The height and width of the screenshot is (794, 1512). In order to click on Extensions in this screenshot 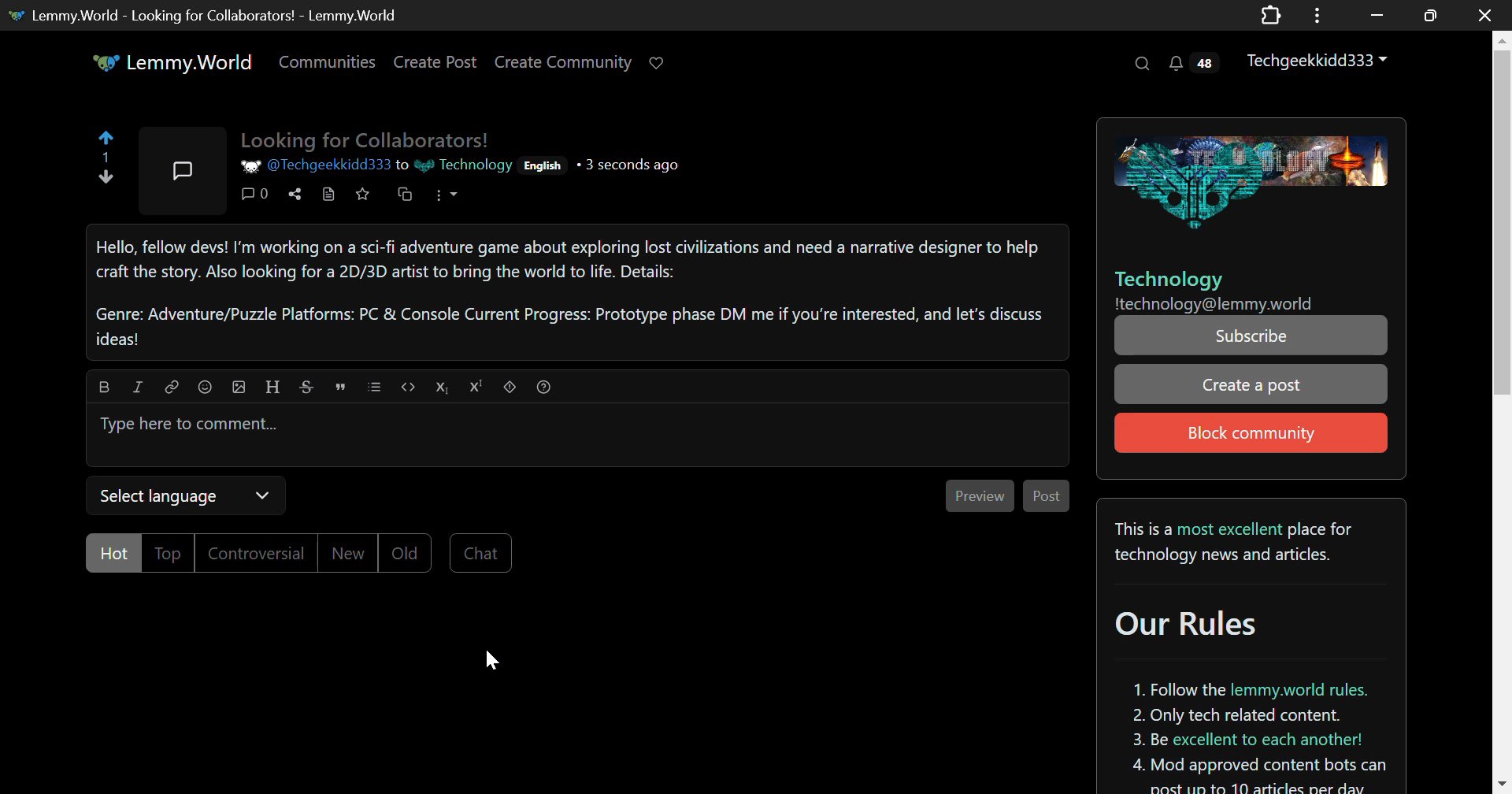, I will do `click(1270, 14)`.